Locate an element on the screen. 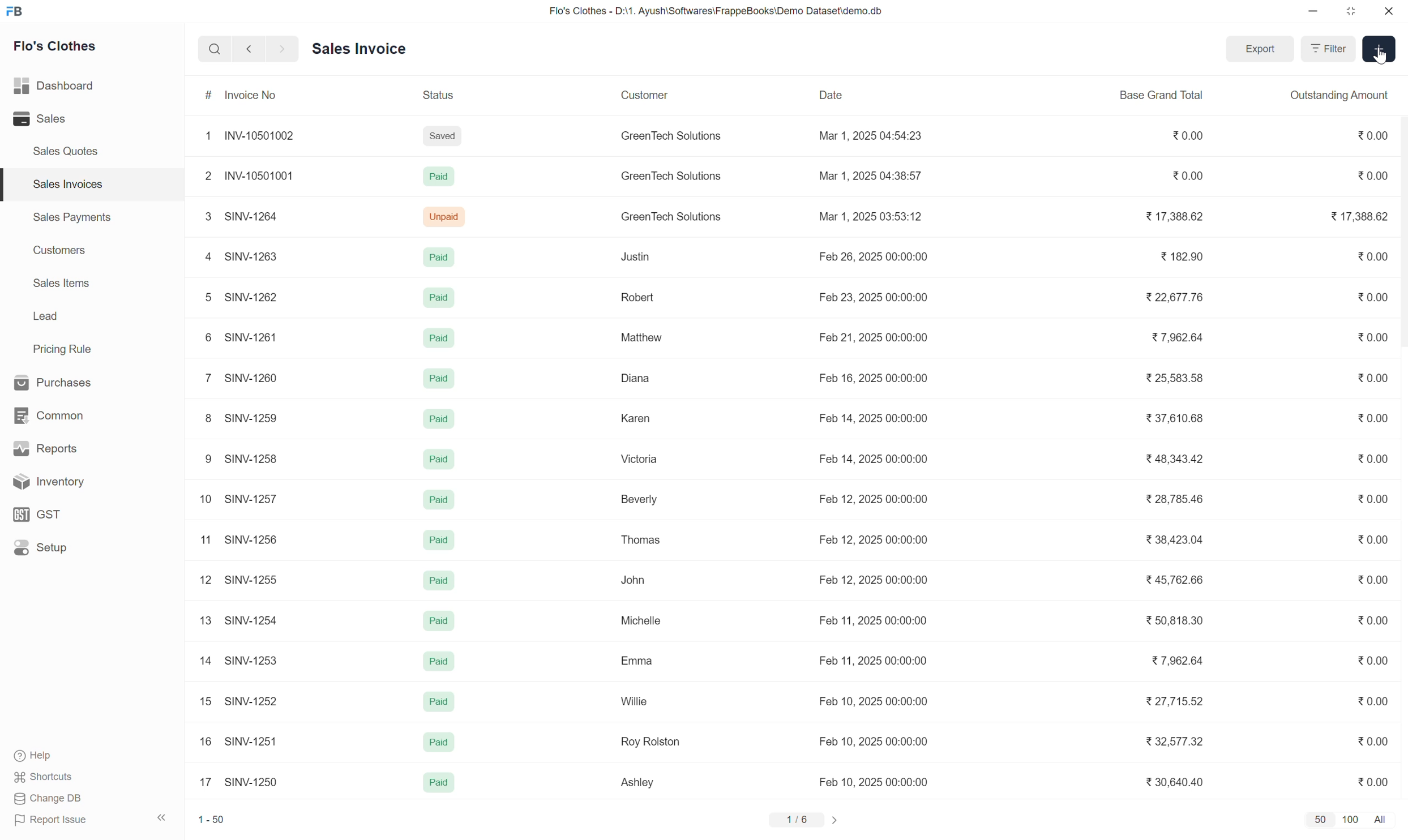 The image size is (1408, 840). ₹45,762.66 is located at coordinates (1179, 542).